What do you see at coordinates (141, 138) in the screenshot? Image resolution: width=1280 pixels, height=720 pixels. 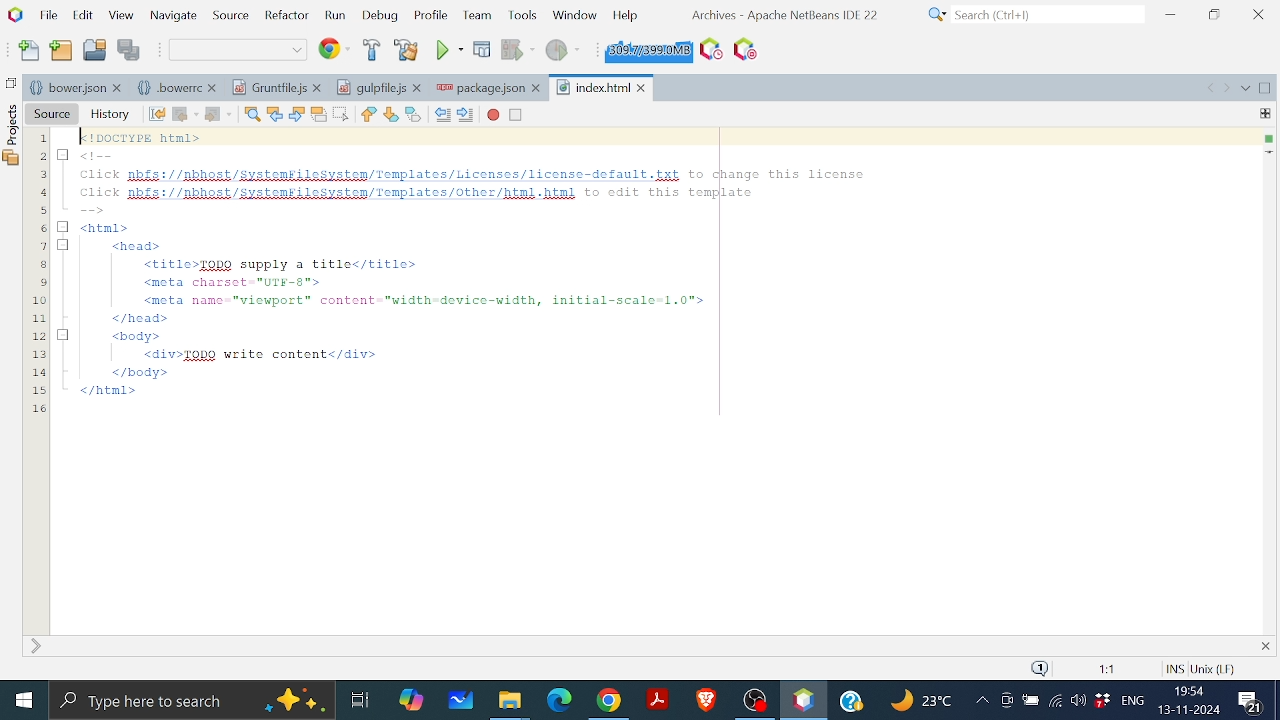 I see `<!DOCTYPE html>` at bounding box center [141, 138].